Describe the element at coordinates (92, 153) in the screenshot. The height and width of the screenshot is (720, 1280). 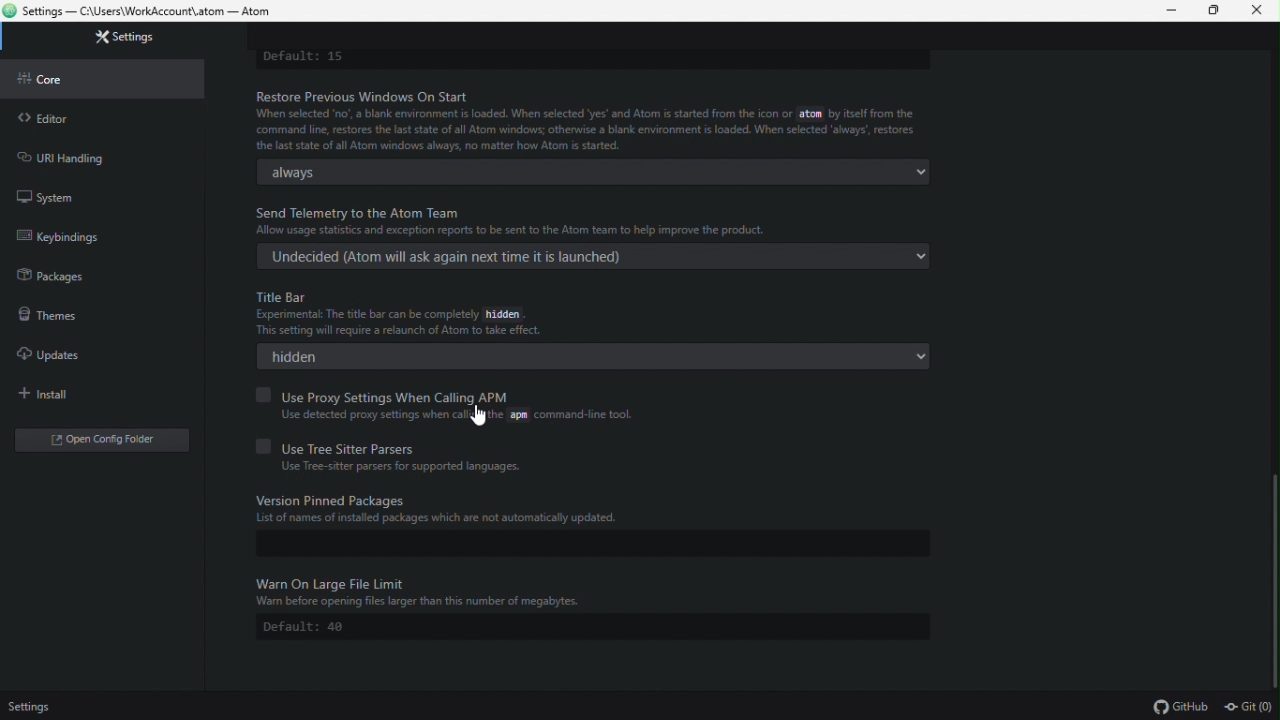
I see `url handling` at that location.